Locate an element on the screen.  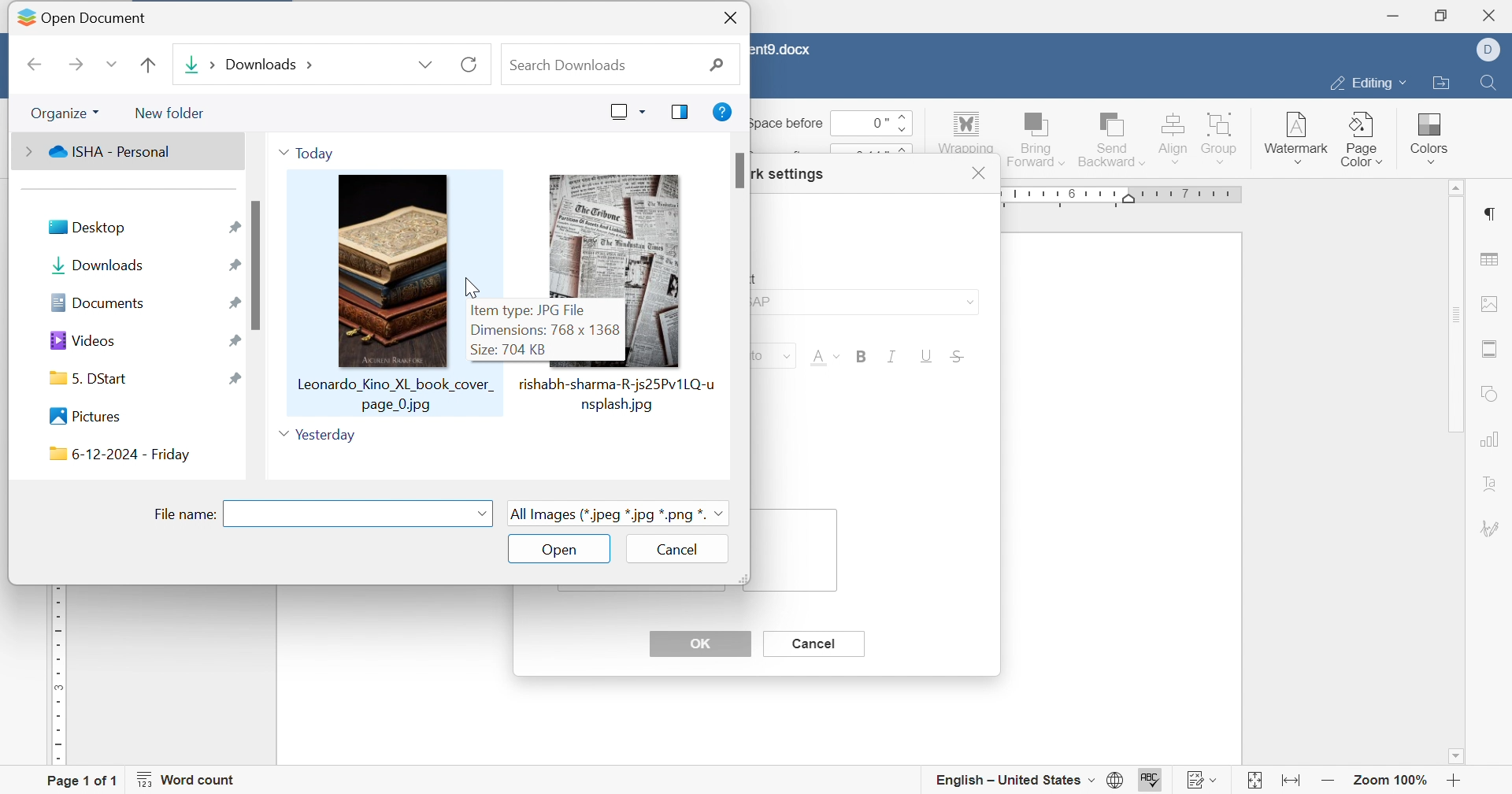
change your view is located at coordinates (628, 110).